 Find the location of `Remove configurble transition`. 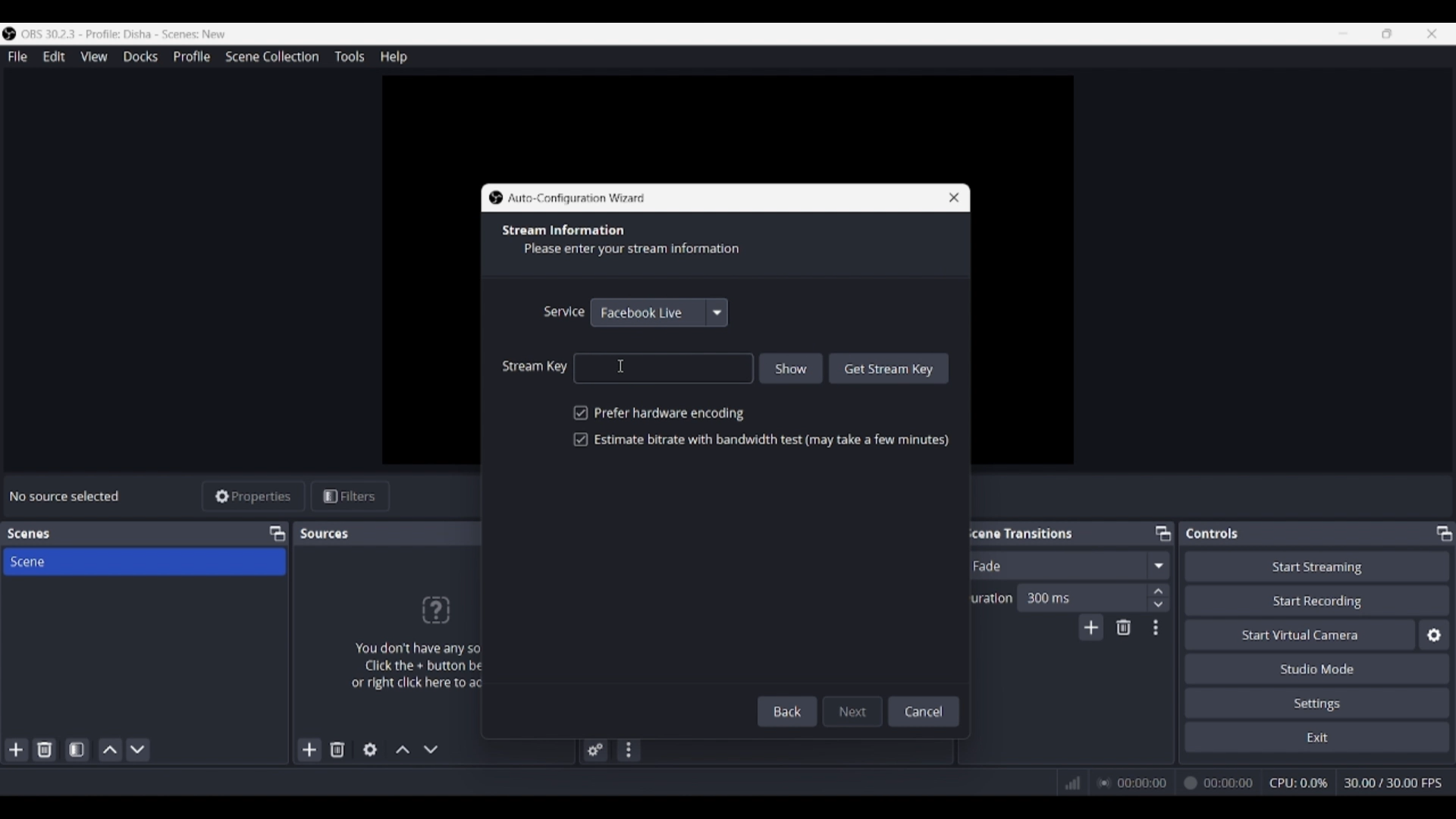

Remove configurble transition is located at coordinates (1124, 627).